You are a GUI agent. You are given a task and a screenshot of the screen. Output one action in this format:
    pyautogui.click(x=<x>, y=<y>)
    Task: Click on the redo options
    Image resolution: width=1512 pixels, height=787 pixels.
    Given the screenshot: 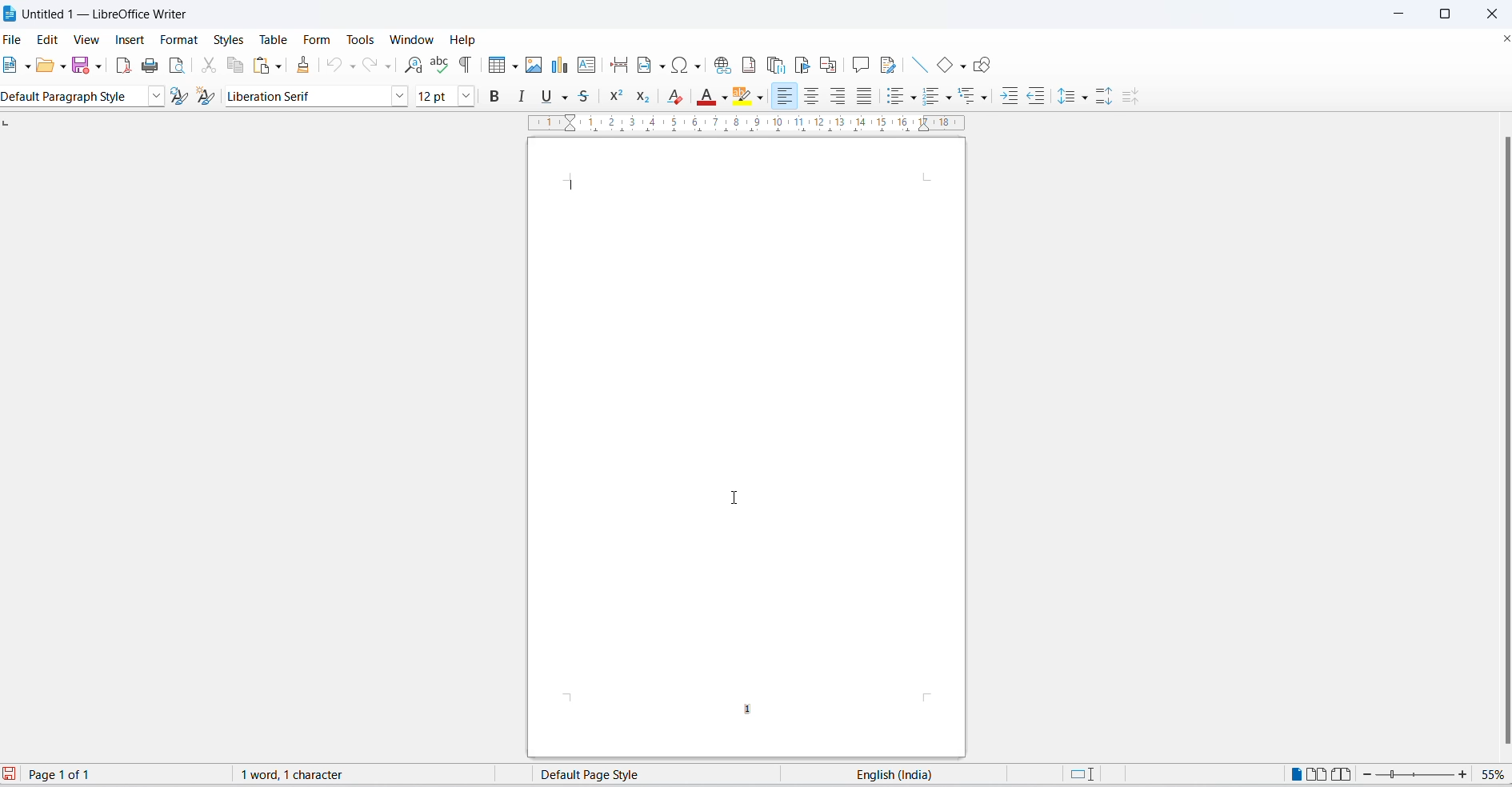 What is the action you would take?
    pyautogui.click(x=388, y=66)
    